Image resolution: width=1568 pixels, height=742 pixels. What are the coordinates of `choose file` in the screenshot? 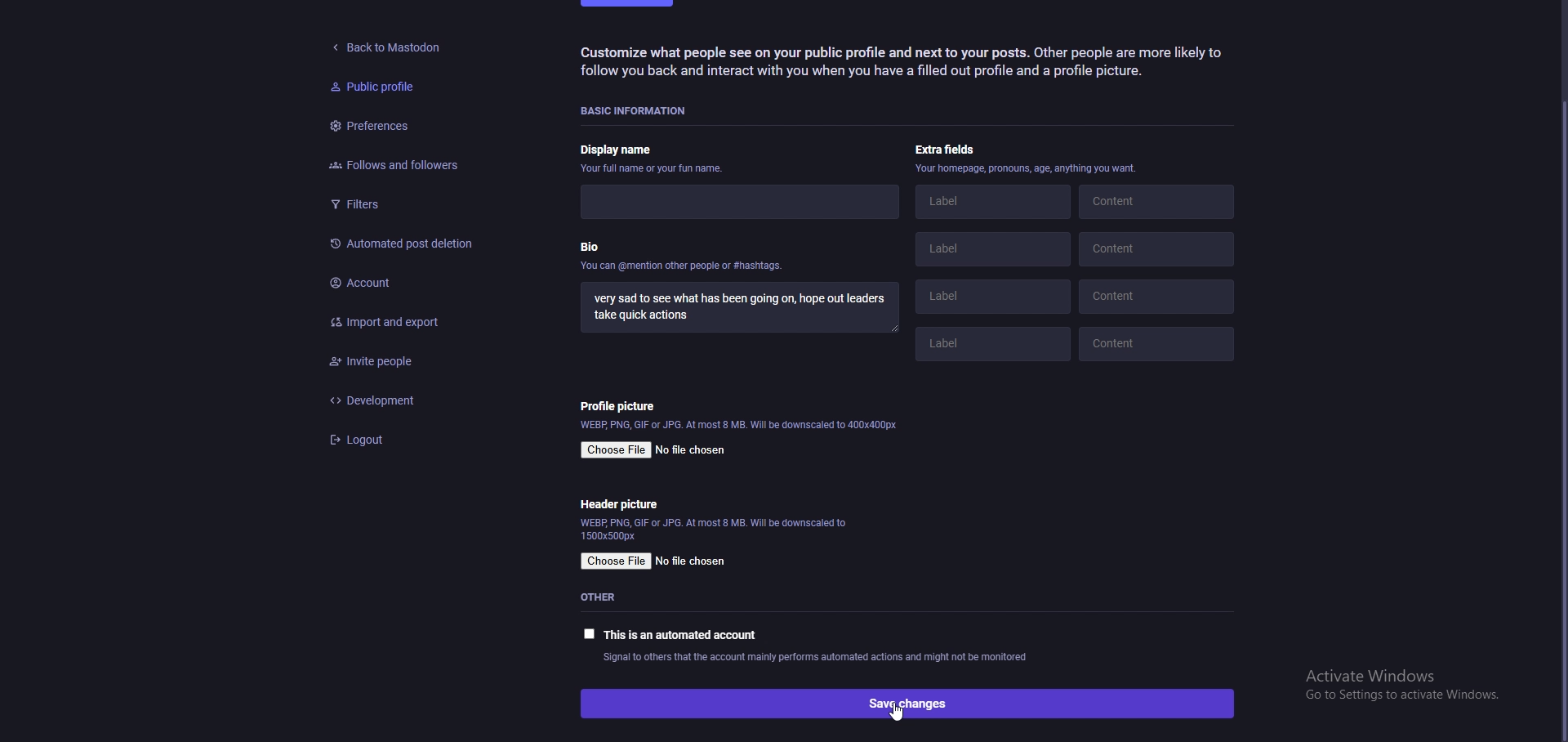 It's located at (616, 562).